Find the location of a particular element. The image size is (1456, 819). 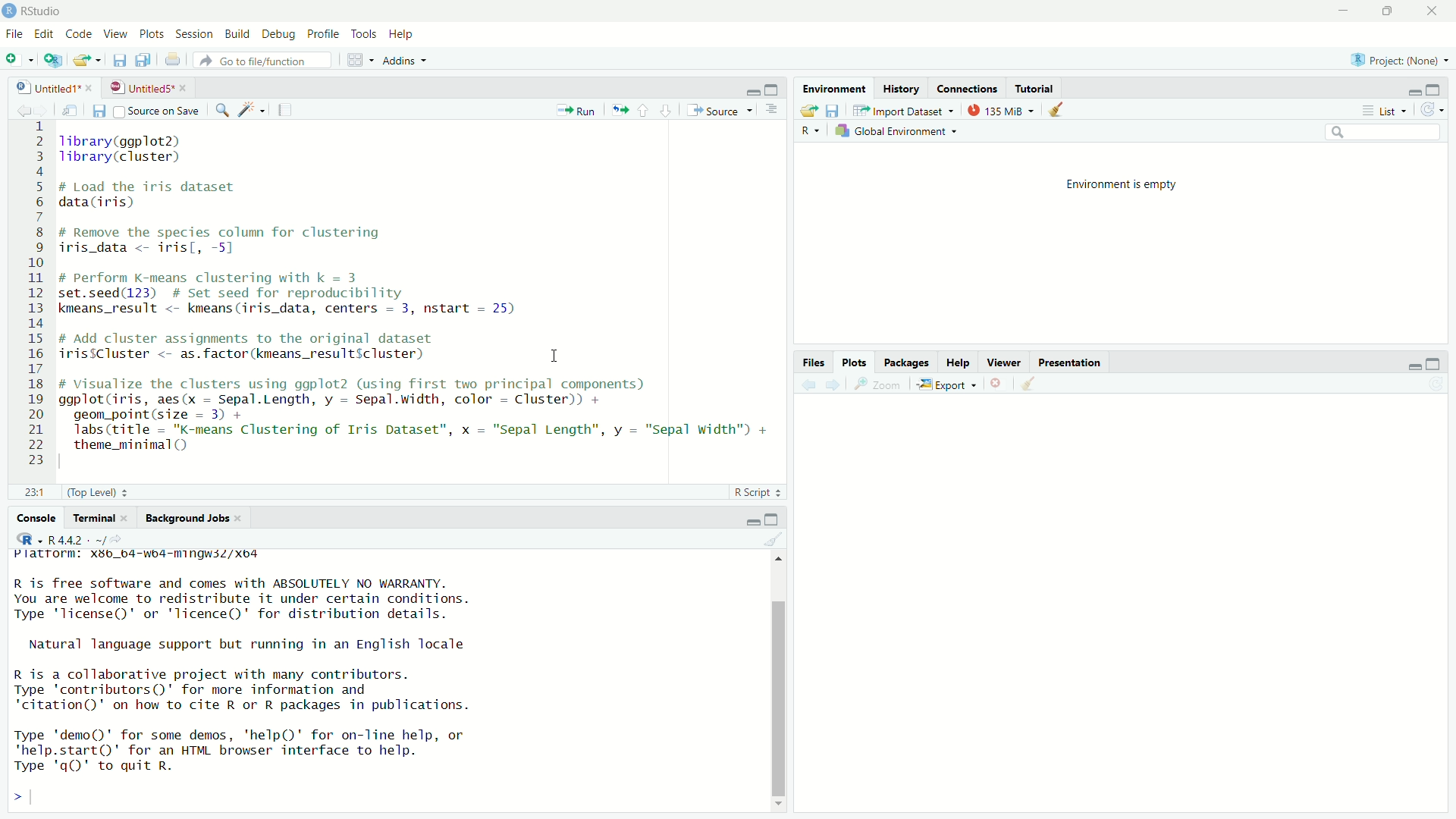

background jobs is located at coordinates (188, 518).